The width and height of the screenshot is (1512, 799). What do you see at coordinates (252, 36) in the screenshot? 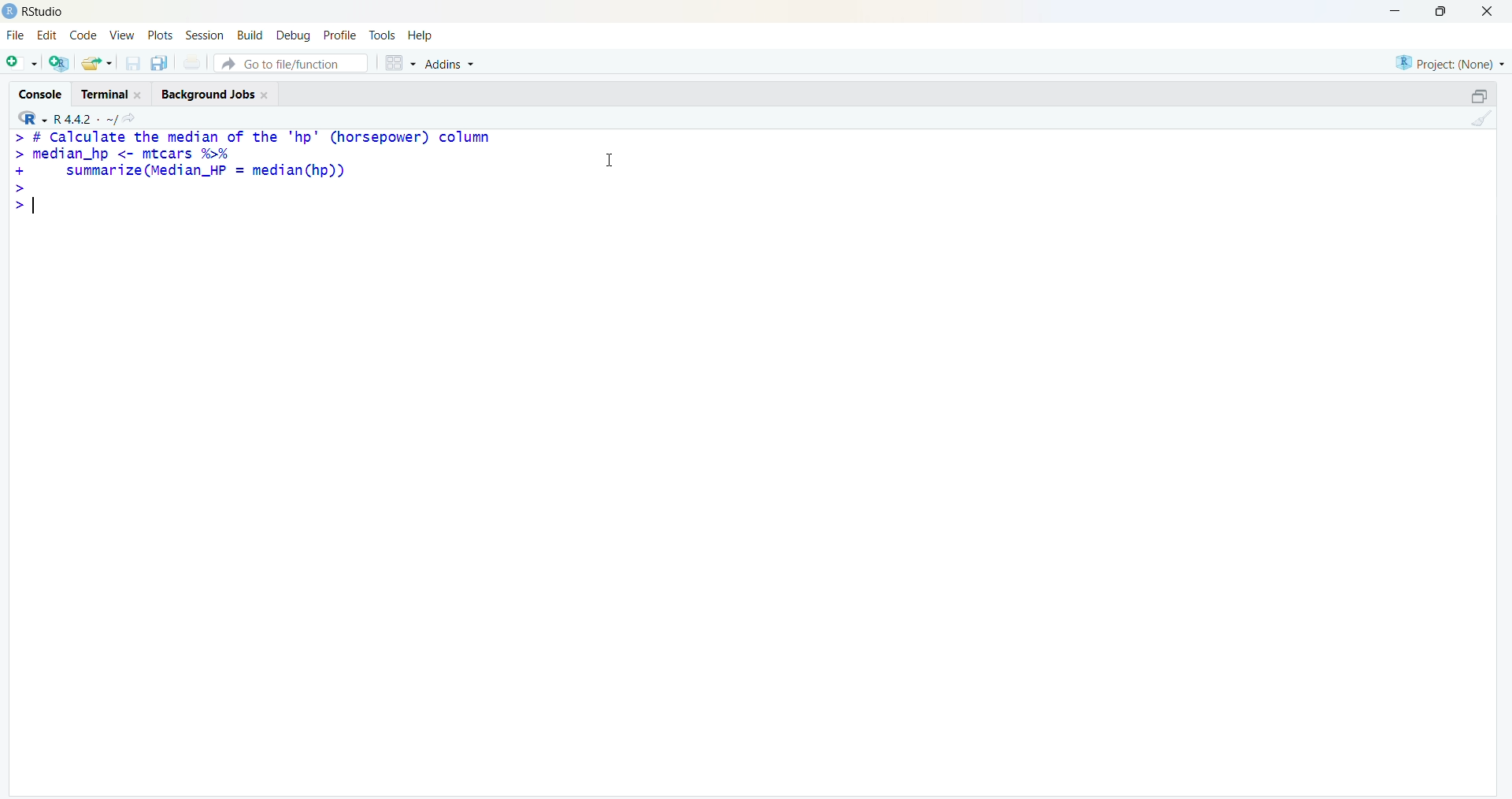
I see `Build ` at bounding box center [252, 36].